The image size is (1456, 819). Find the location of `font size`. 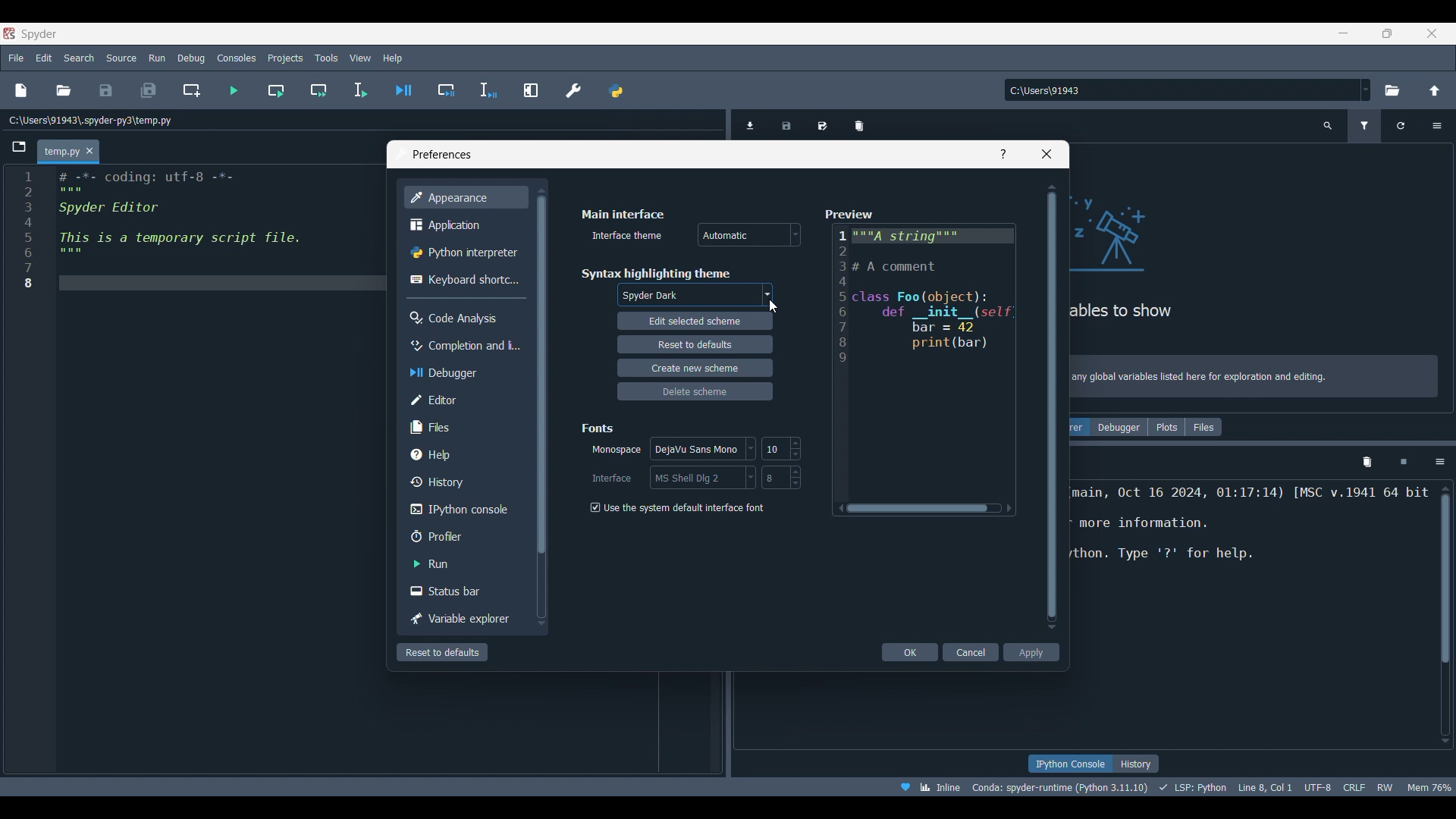

font size is located at coordinates (781, 448).